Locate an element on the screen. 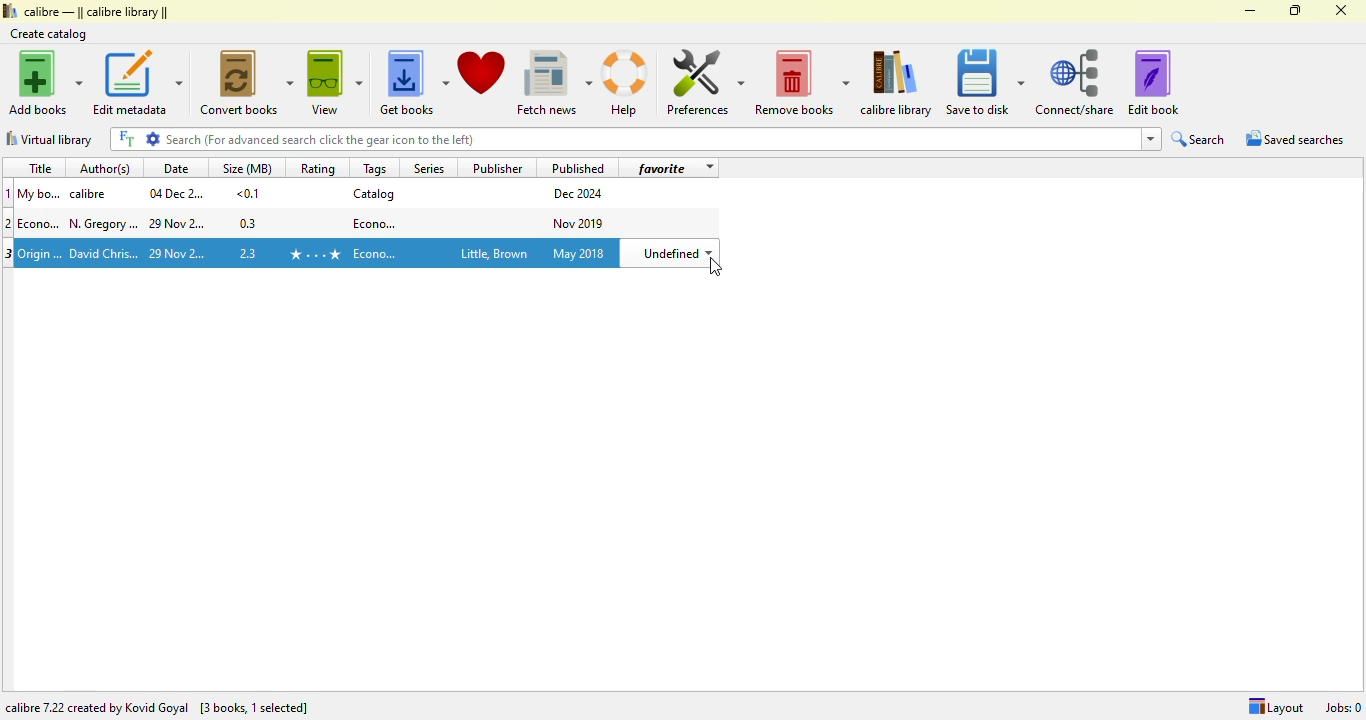  jobs: 0 is located at coordinates (1343, 707).